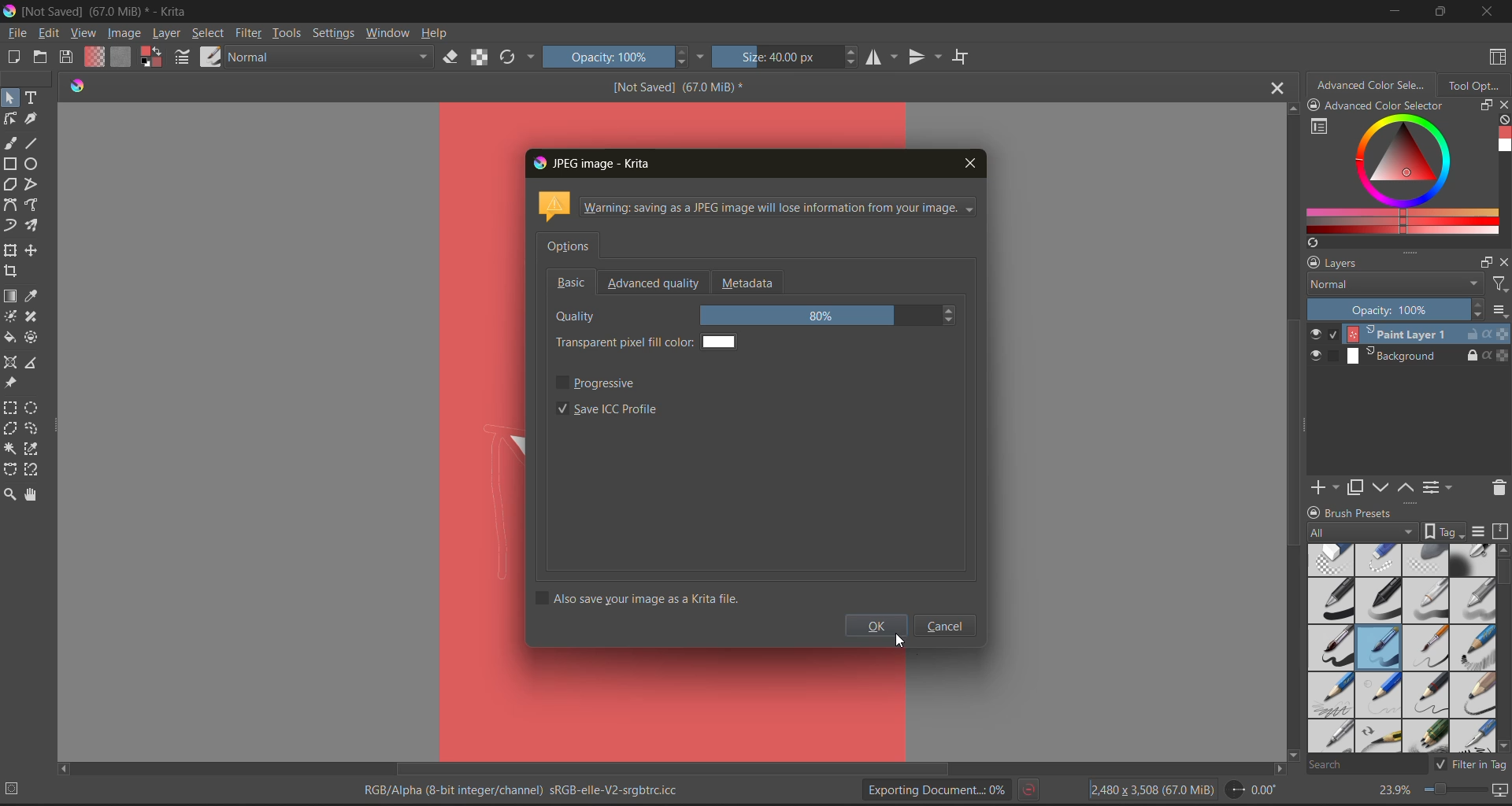 The image size is (1512, 806). Describe the element at coordinates (169, 35) in the screenshot. I see `layer` at that location.